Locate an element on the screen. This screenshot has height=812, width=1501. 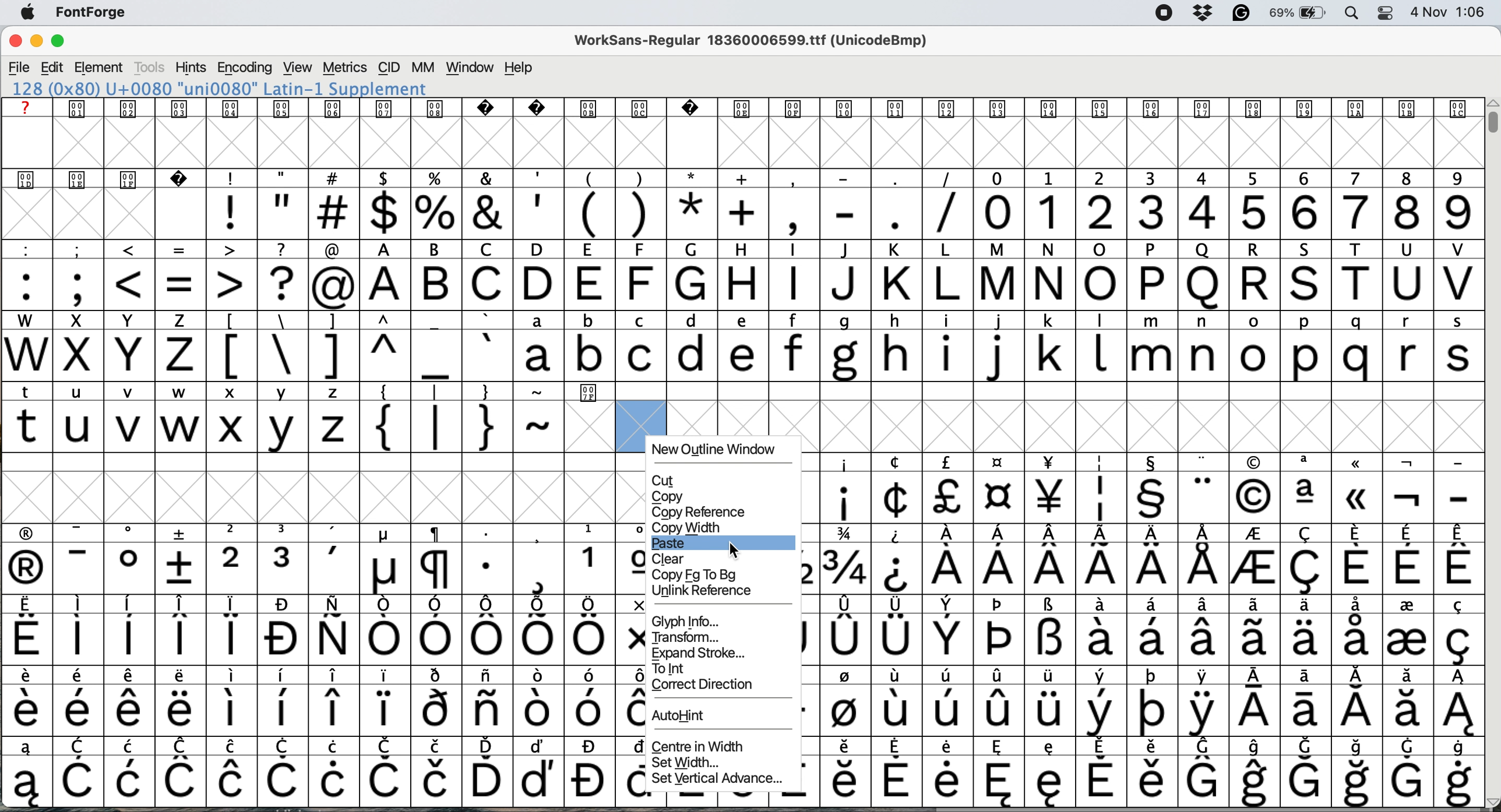
tools is located at coordinates (150, 68).